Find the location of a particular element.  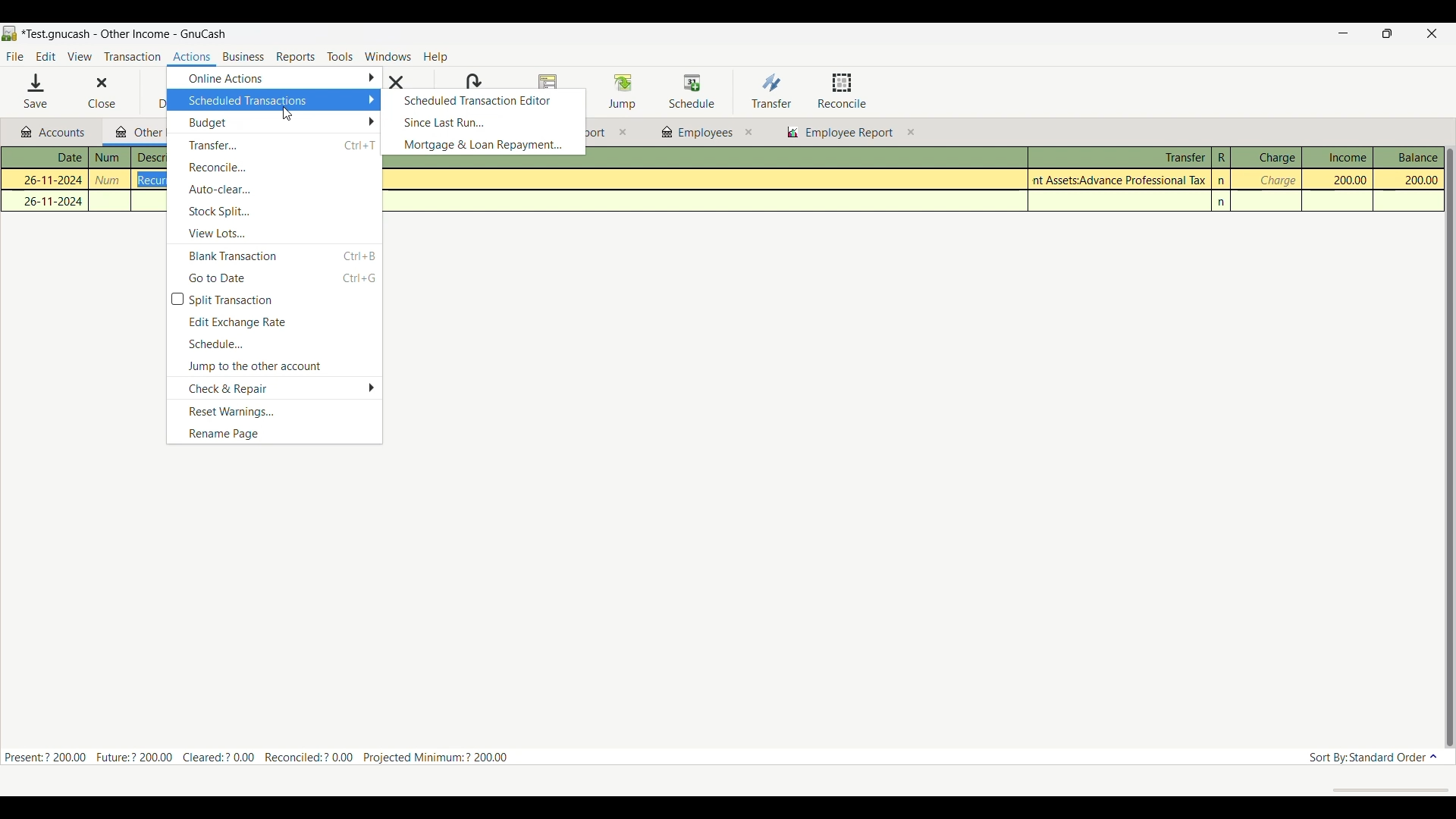

Transfer is located at coordinates (771, 90).